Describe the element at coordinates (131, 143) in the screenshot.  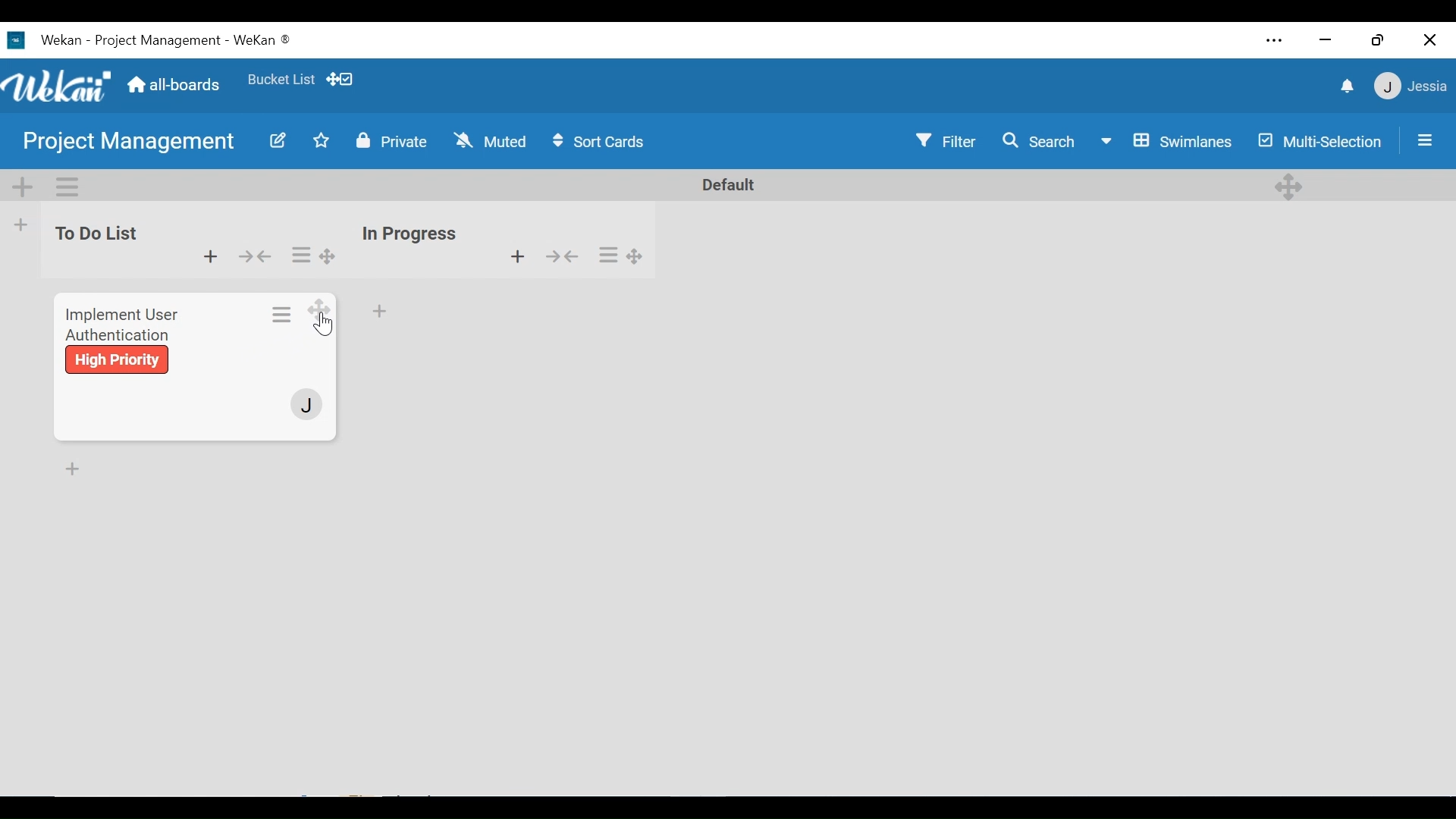
I see `Project Management` at that location.